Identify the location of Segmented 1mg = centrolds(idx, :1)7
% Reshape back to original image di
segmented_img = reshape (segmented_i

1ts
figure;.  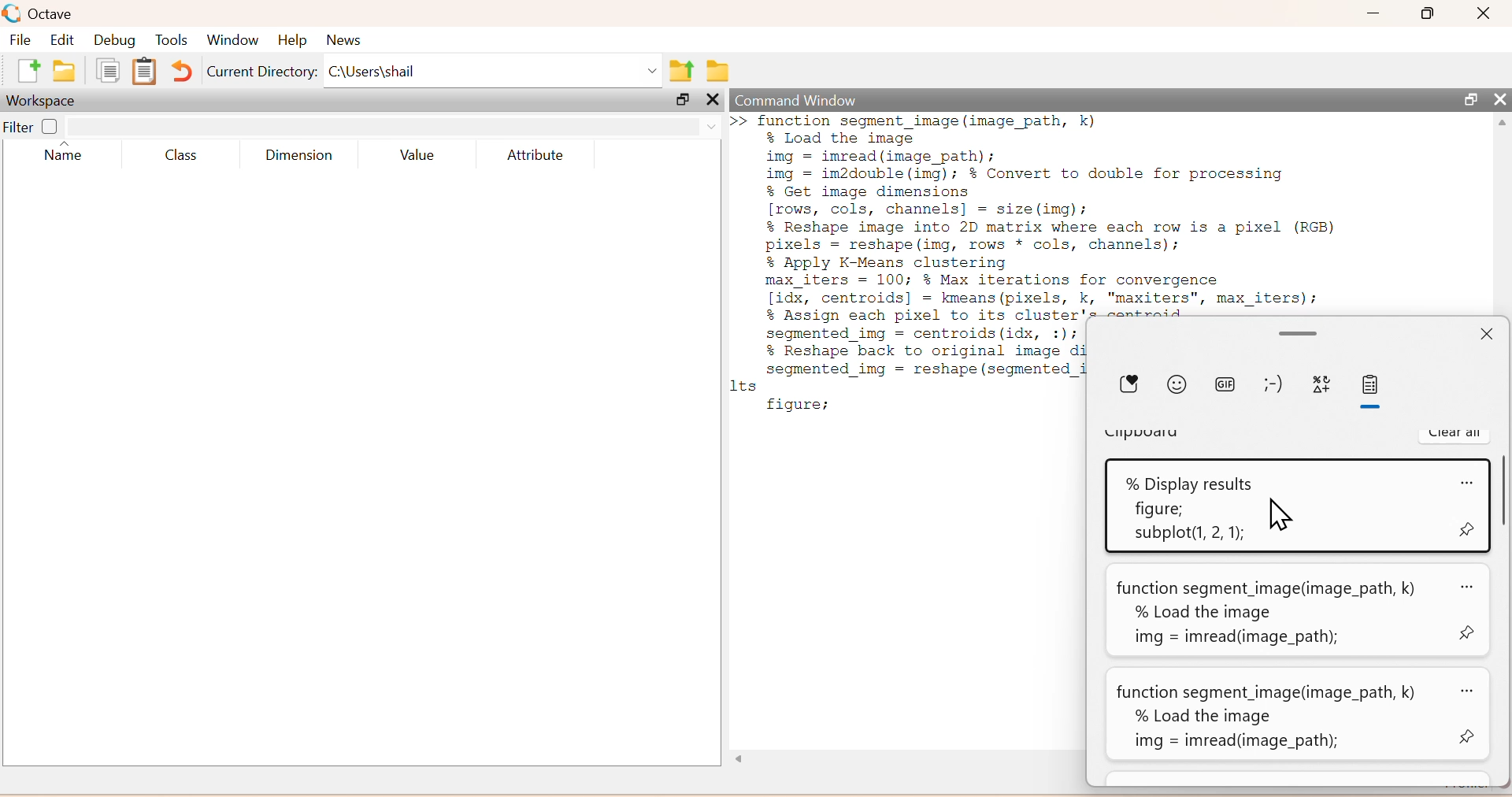
(909, 369).